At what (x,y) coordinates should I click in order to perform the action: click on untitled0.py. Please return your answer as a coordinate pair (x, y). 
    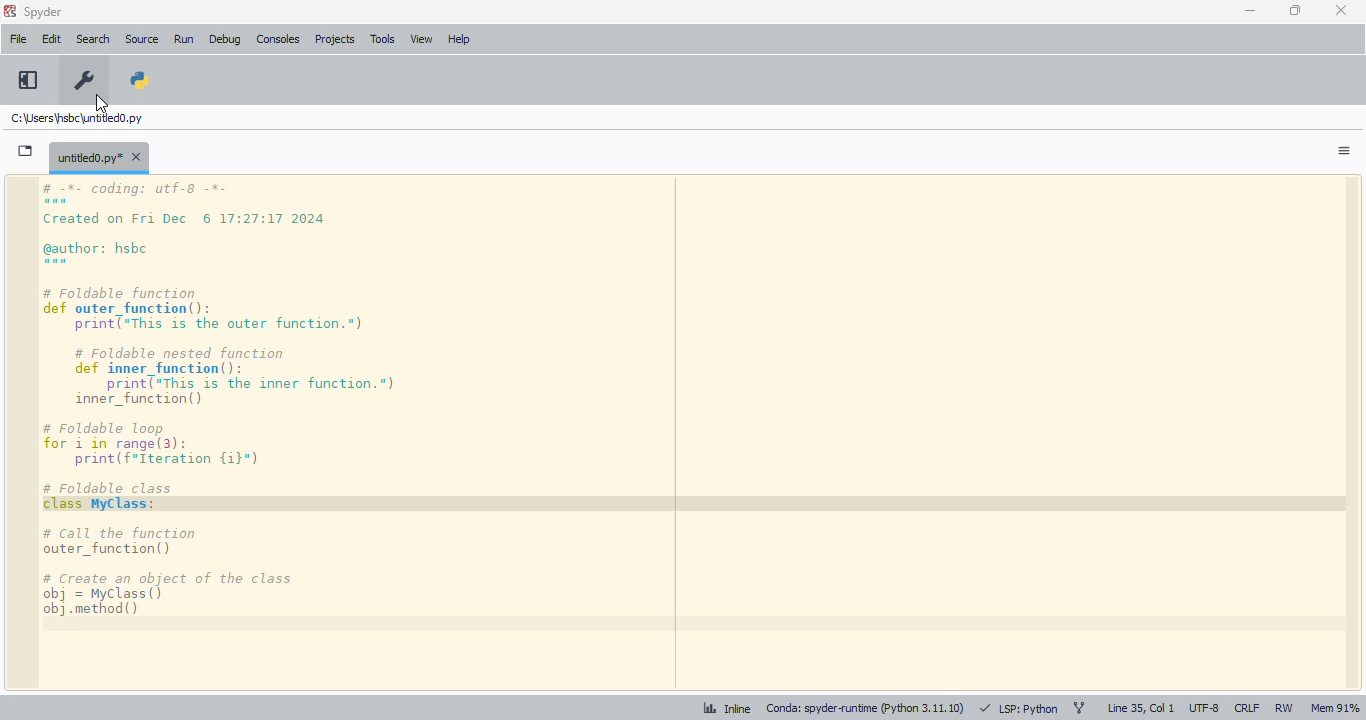
    Looking at the image, I should click on (99, 156).